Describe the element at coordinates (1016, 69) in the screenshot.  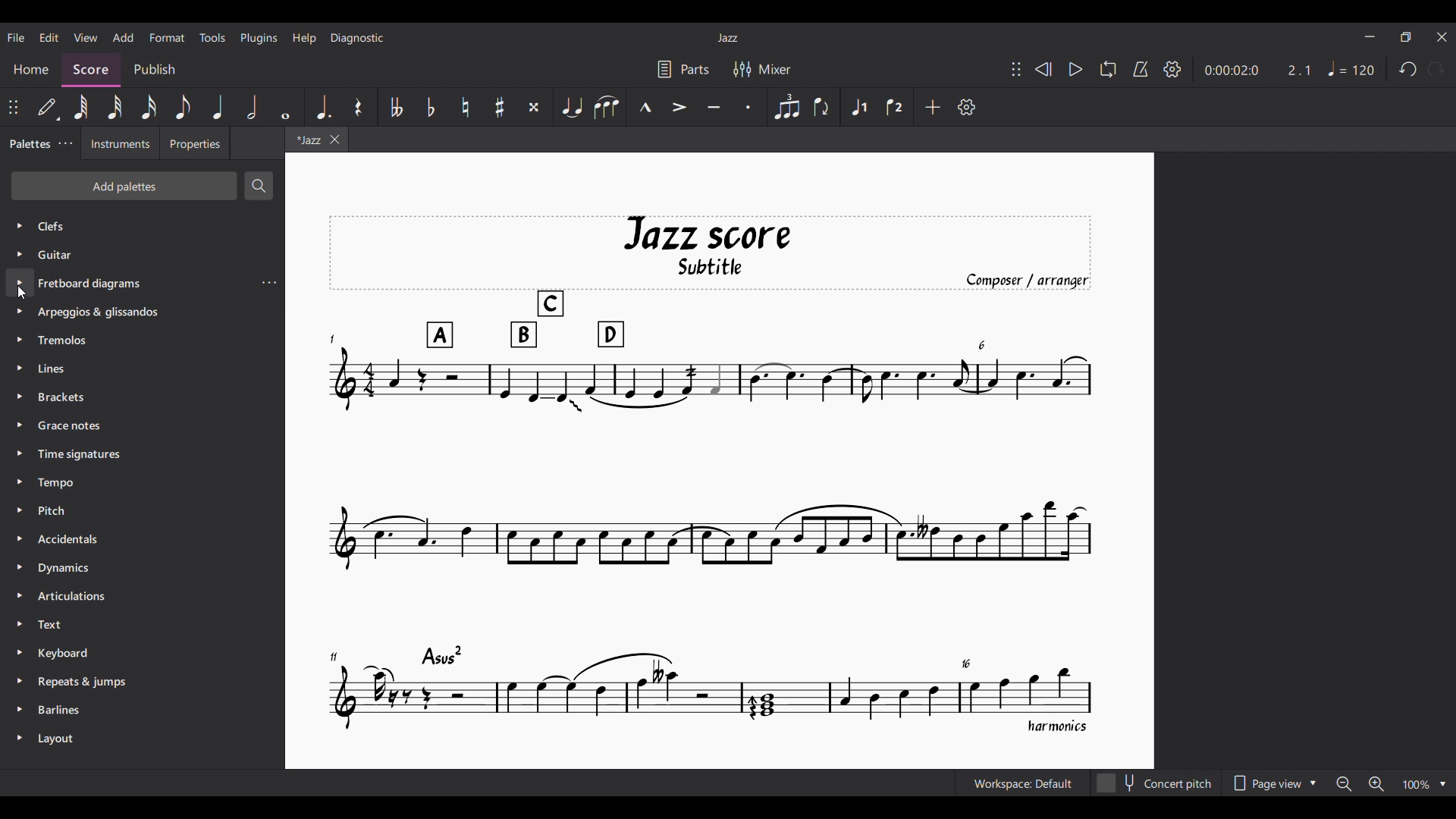
I see `Change position` at that location.